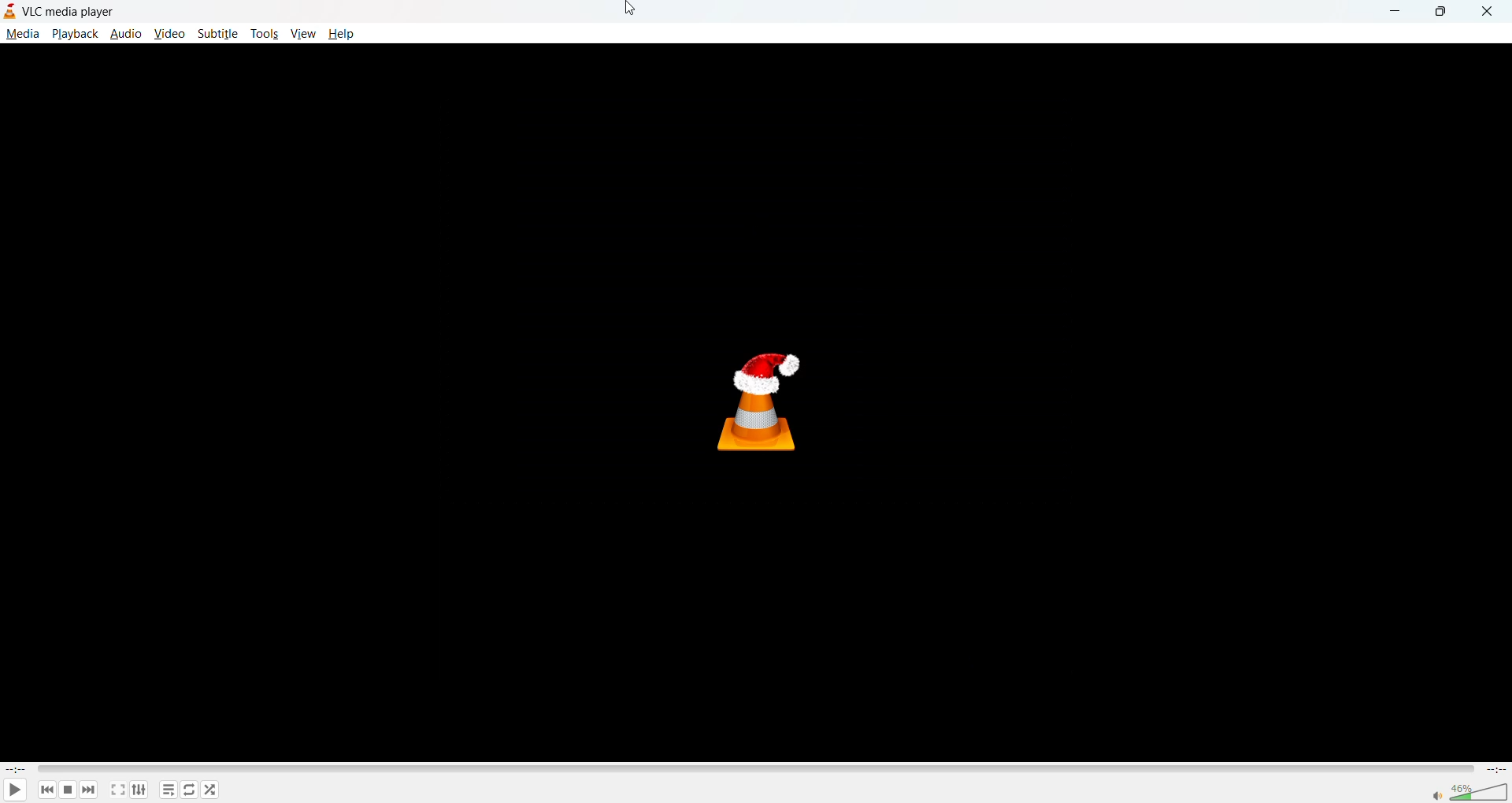  What do you see at coordinates (628, 13) in the screenshot?
I see `cursor` at bounding box center [628, 13].